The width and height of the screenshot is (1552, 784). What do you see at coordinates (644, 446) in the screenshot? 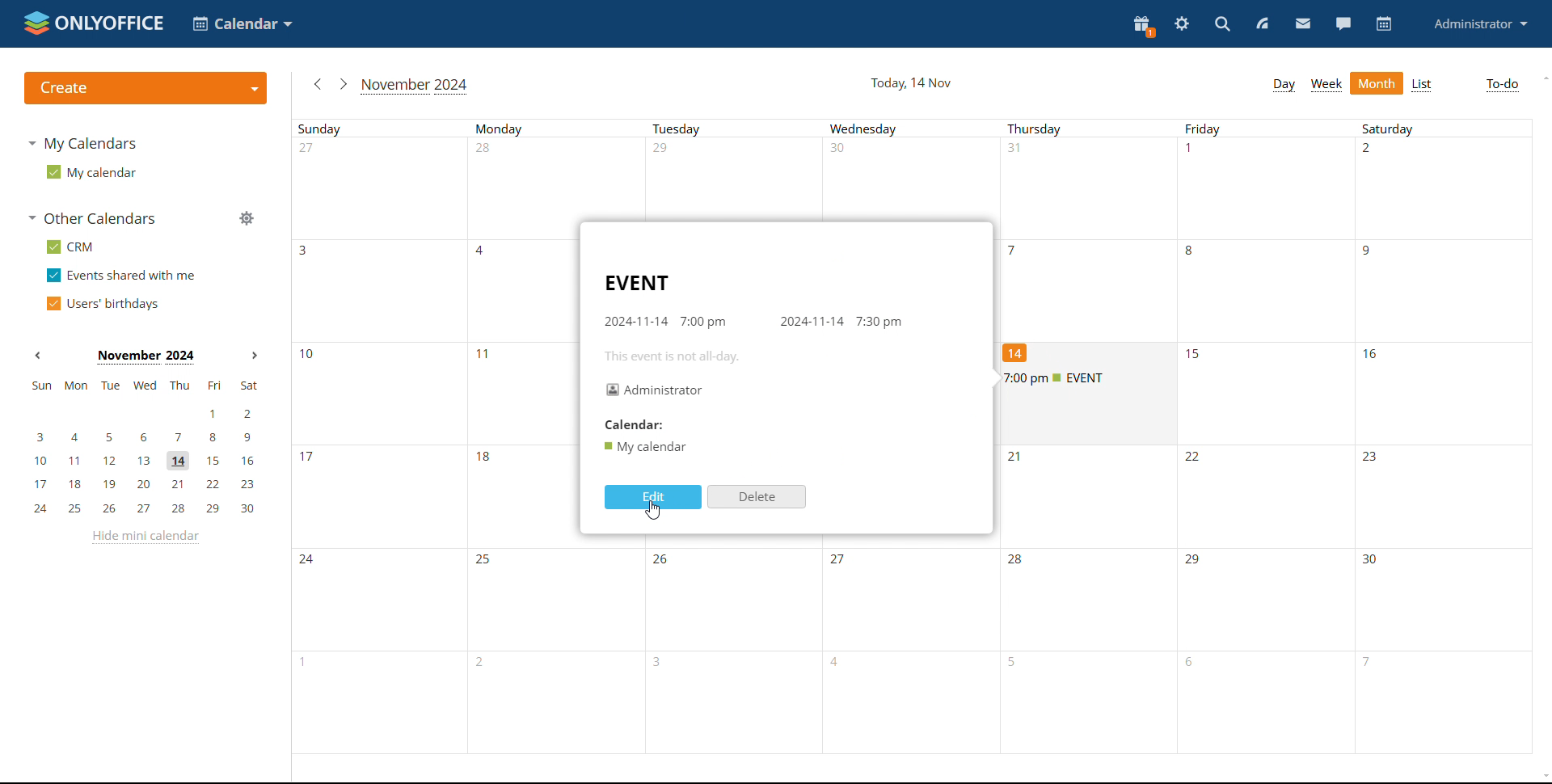
I see `my calendar` at bounding box center [644, 446].